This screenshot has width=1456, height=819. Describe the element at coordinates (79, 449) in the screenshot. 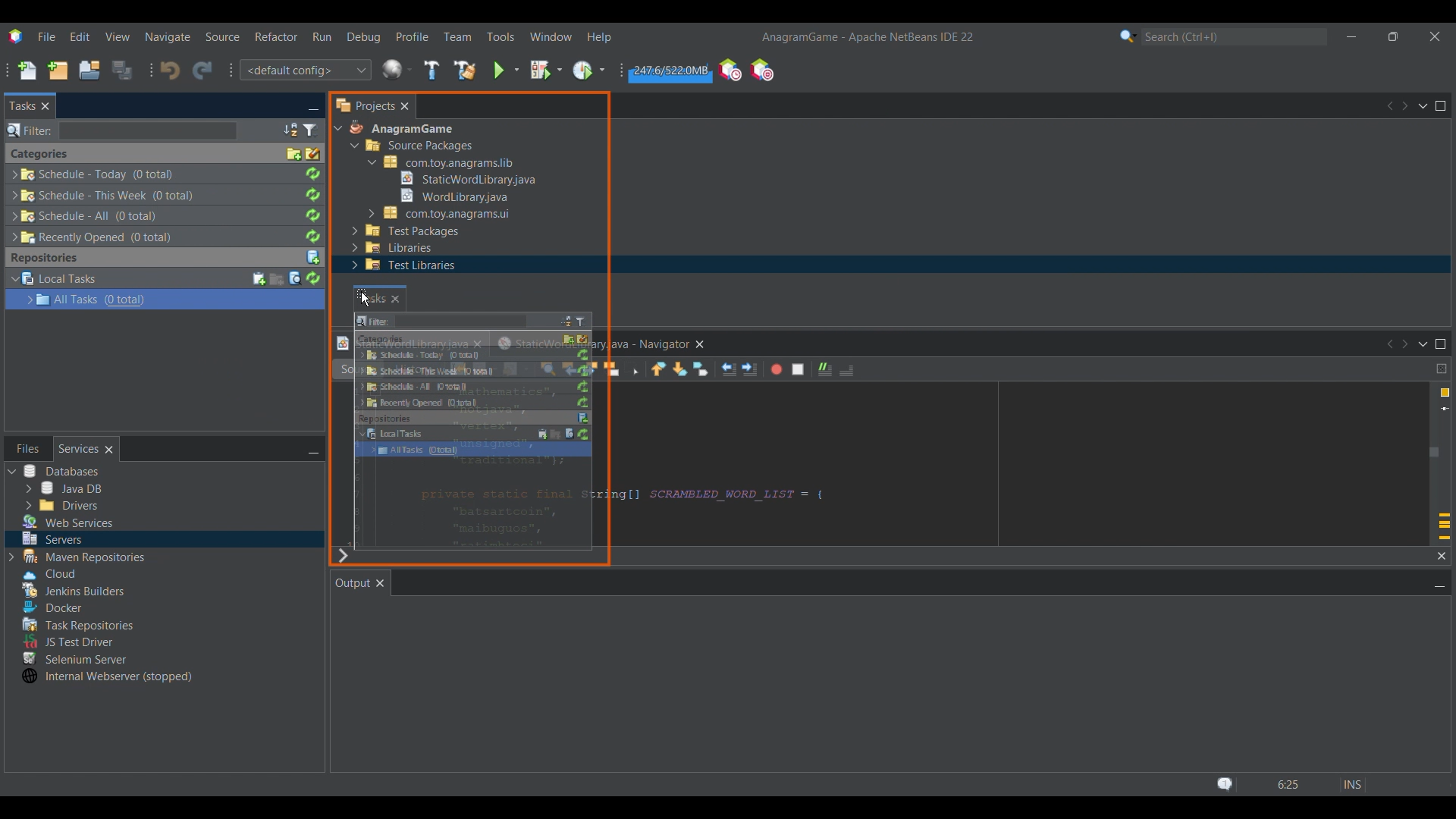

I see `Current tab` at that location.